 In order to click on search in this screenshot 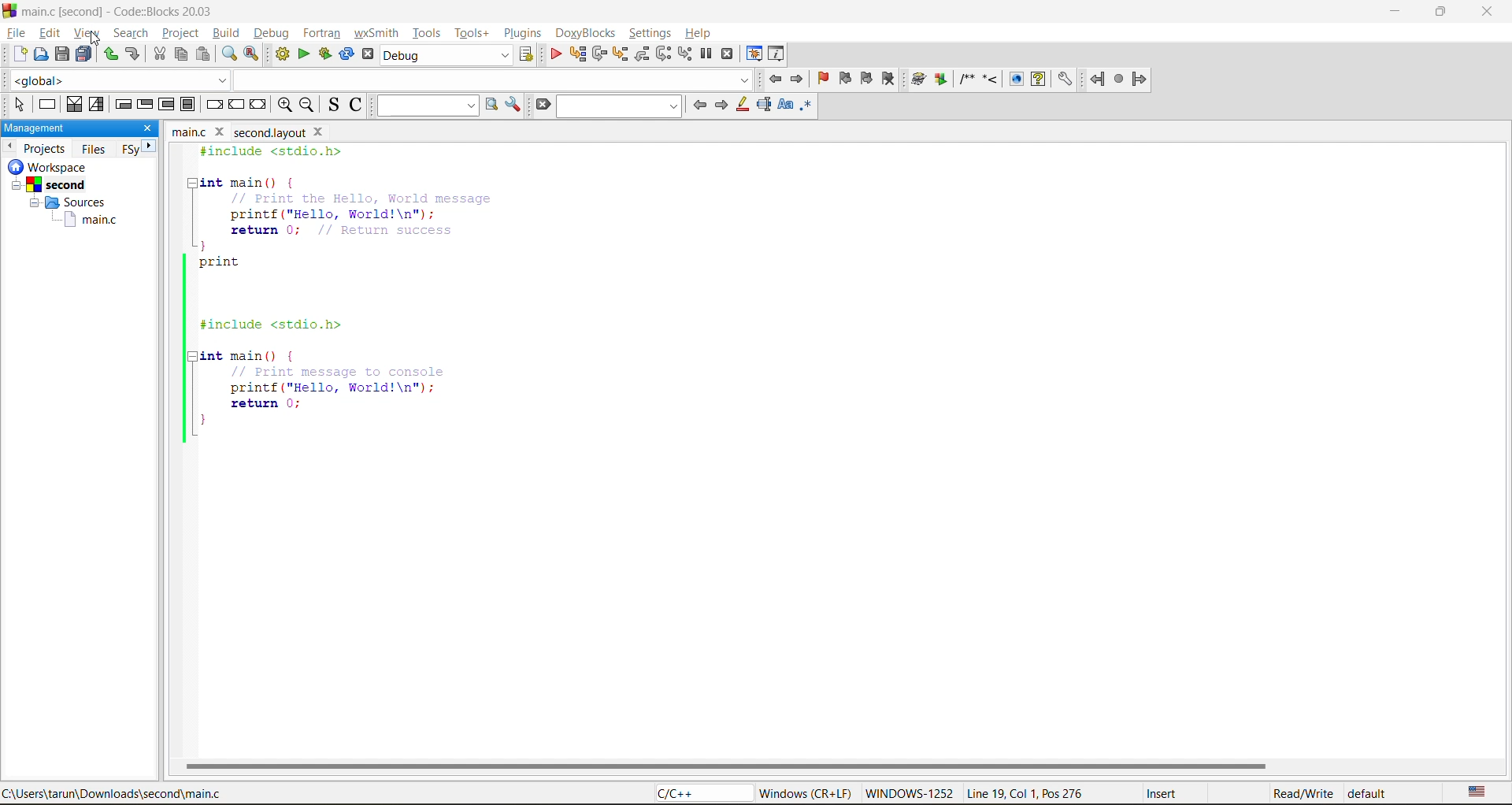, I will do `click(128, 35)`.